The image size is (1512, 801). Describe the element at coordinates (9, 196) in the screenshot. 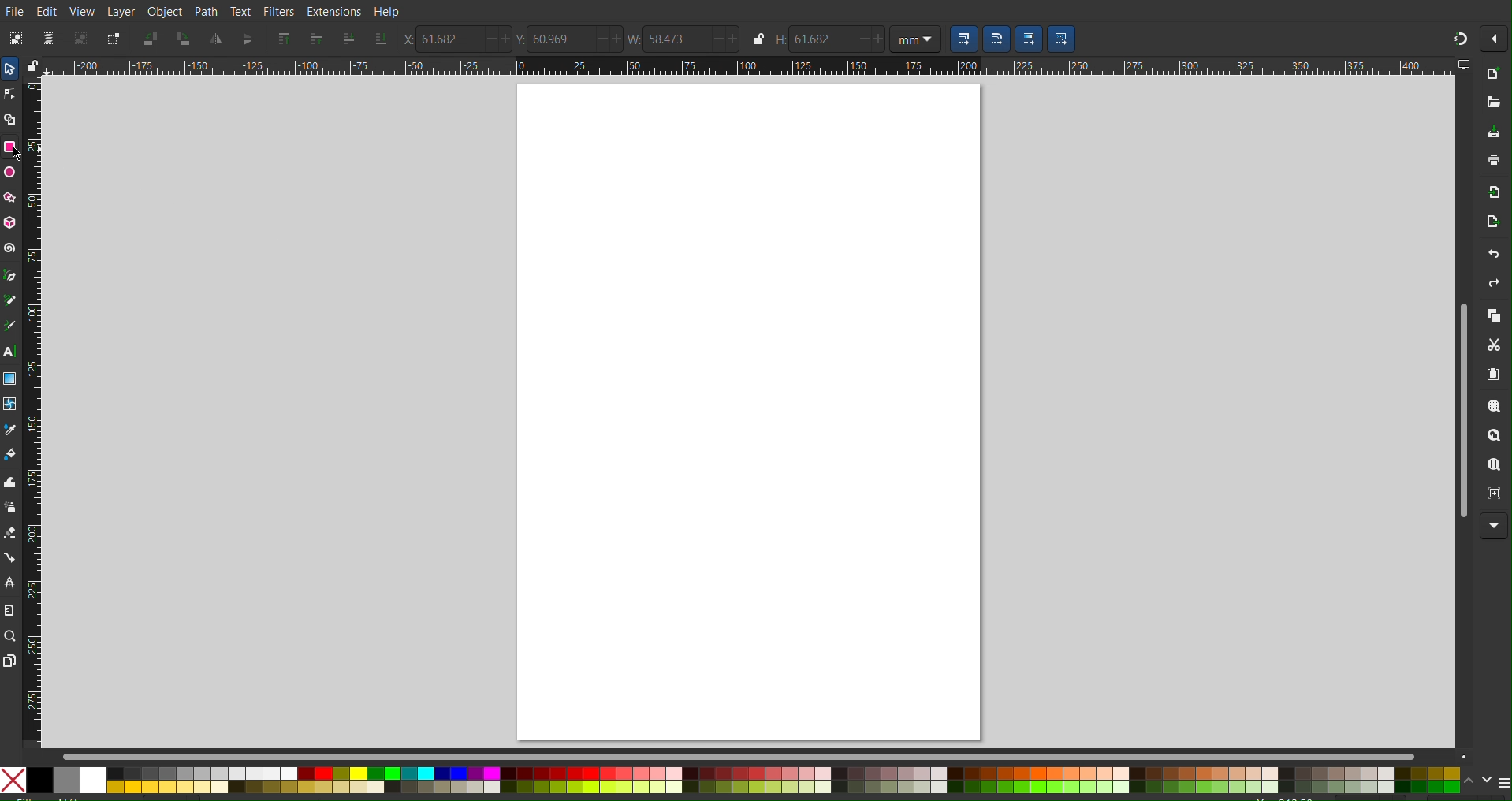

I see `Polygon` at that location.